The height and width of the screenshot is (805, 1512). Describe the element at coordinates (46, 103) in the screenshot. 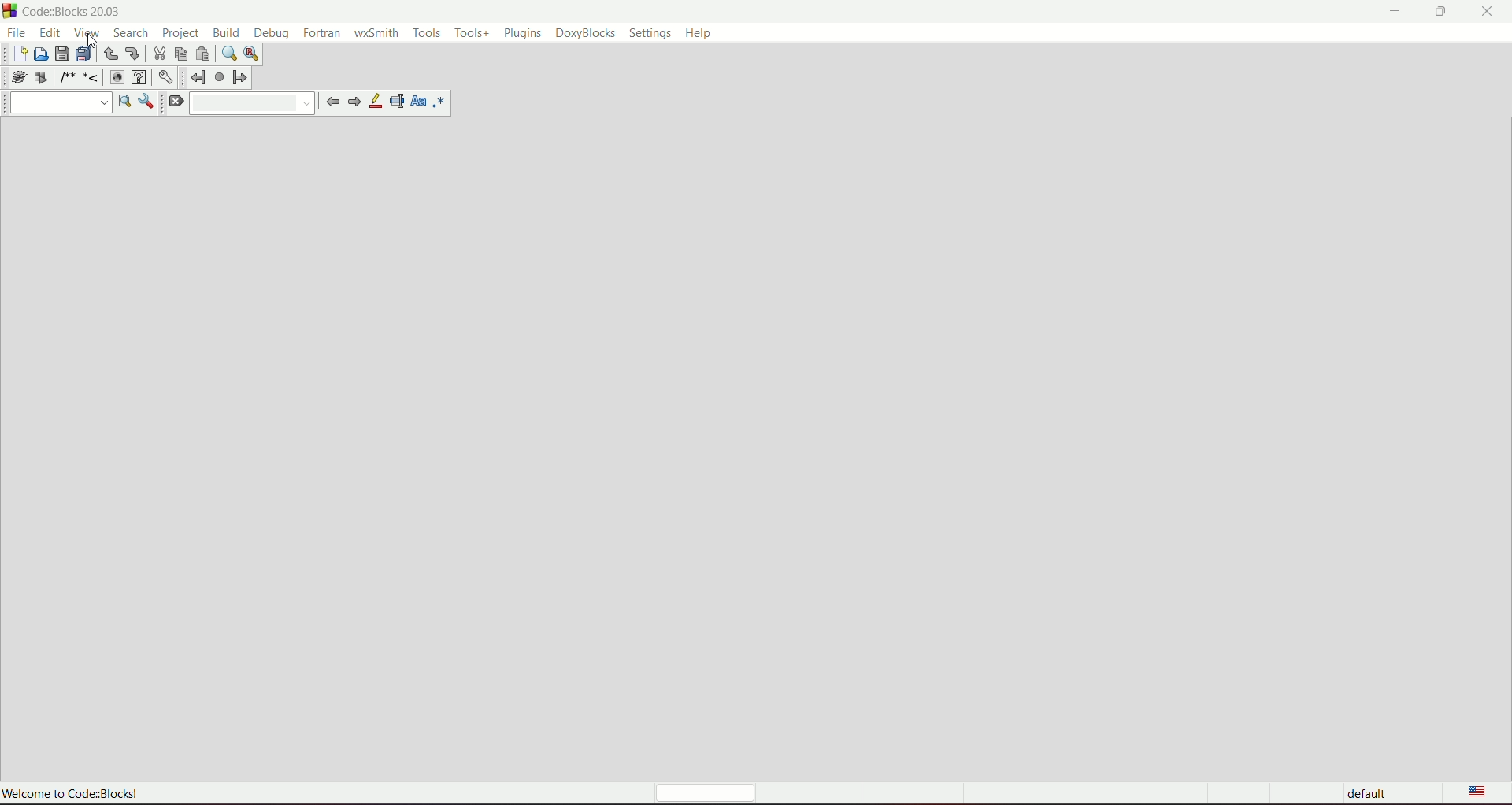

I see `drop down` at that location.